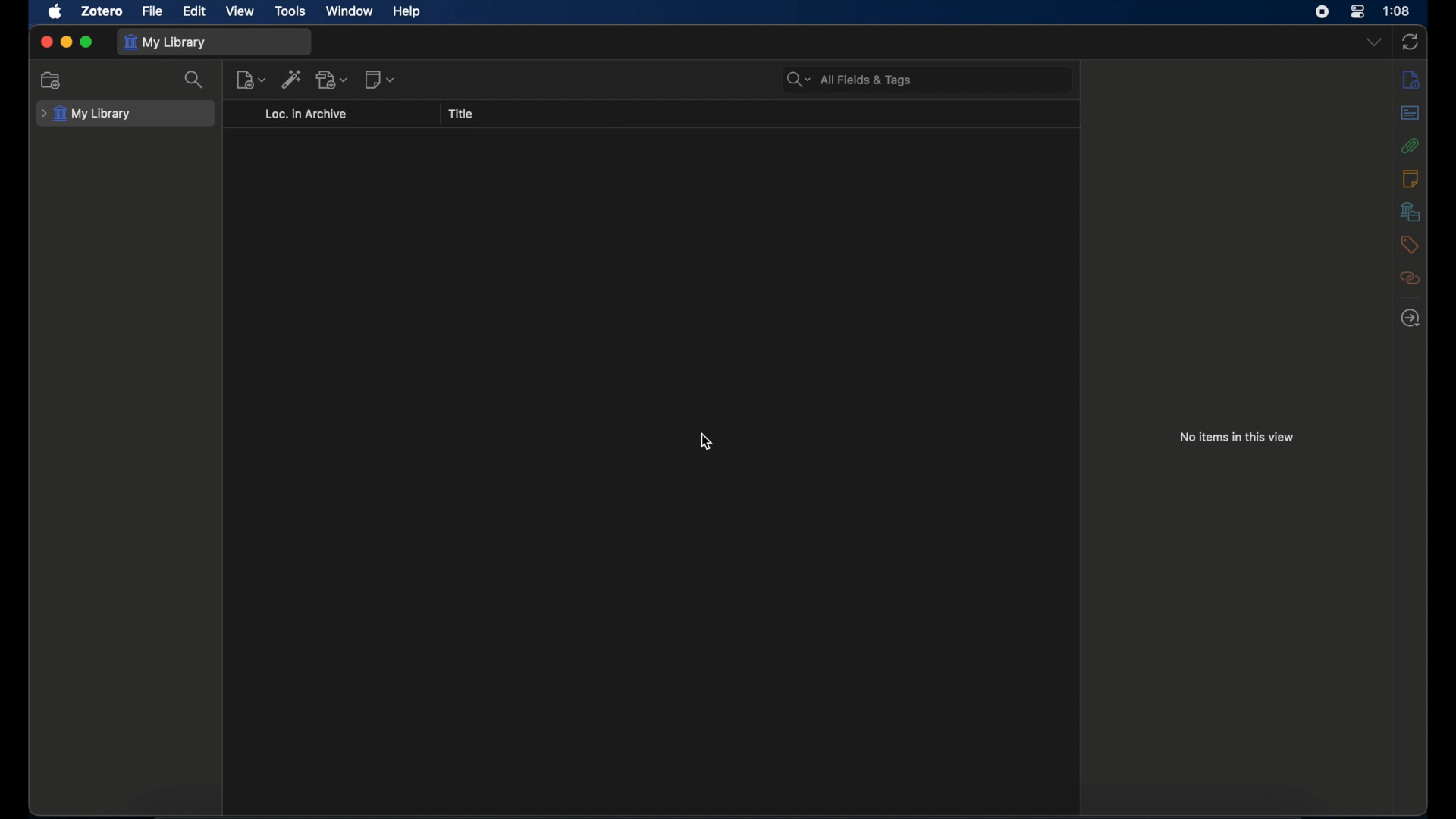 The width and height of the screenshot is (1456, 819). Describe the element at coordinates (849, 79) in the screenshot. I see `search bar` at that location.